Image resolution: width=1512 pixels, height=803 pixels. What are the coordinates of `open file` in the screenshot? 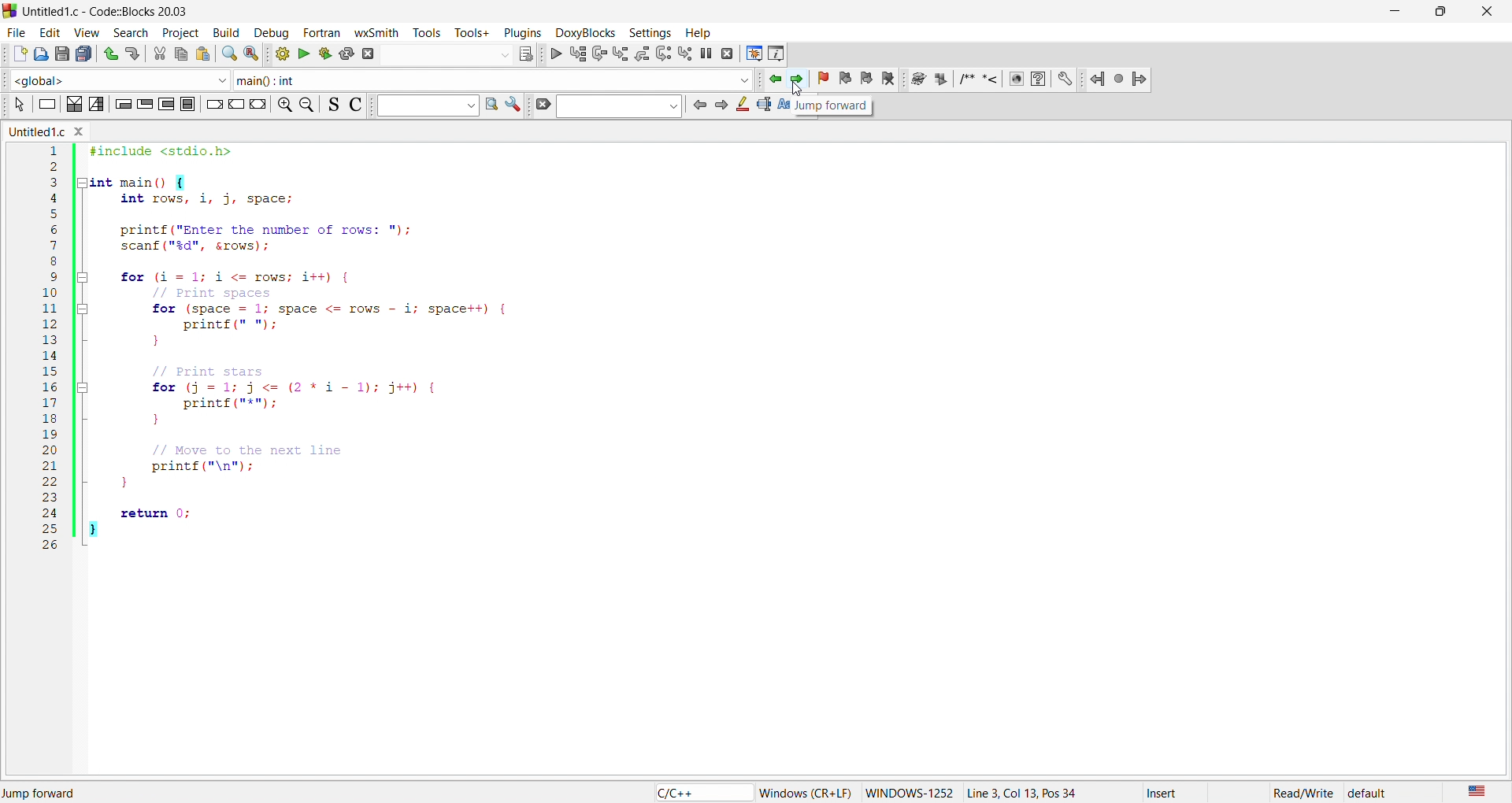 It's located at (37, 54).